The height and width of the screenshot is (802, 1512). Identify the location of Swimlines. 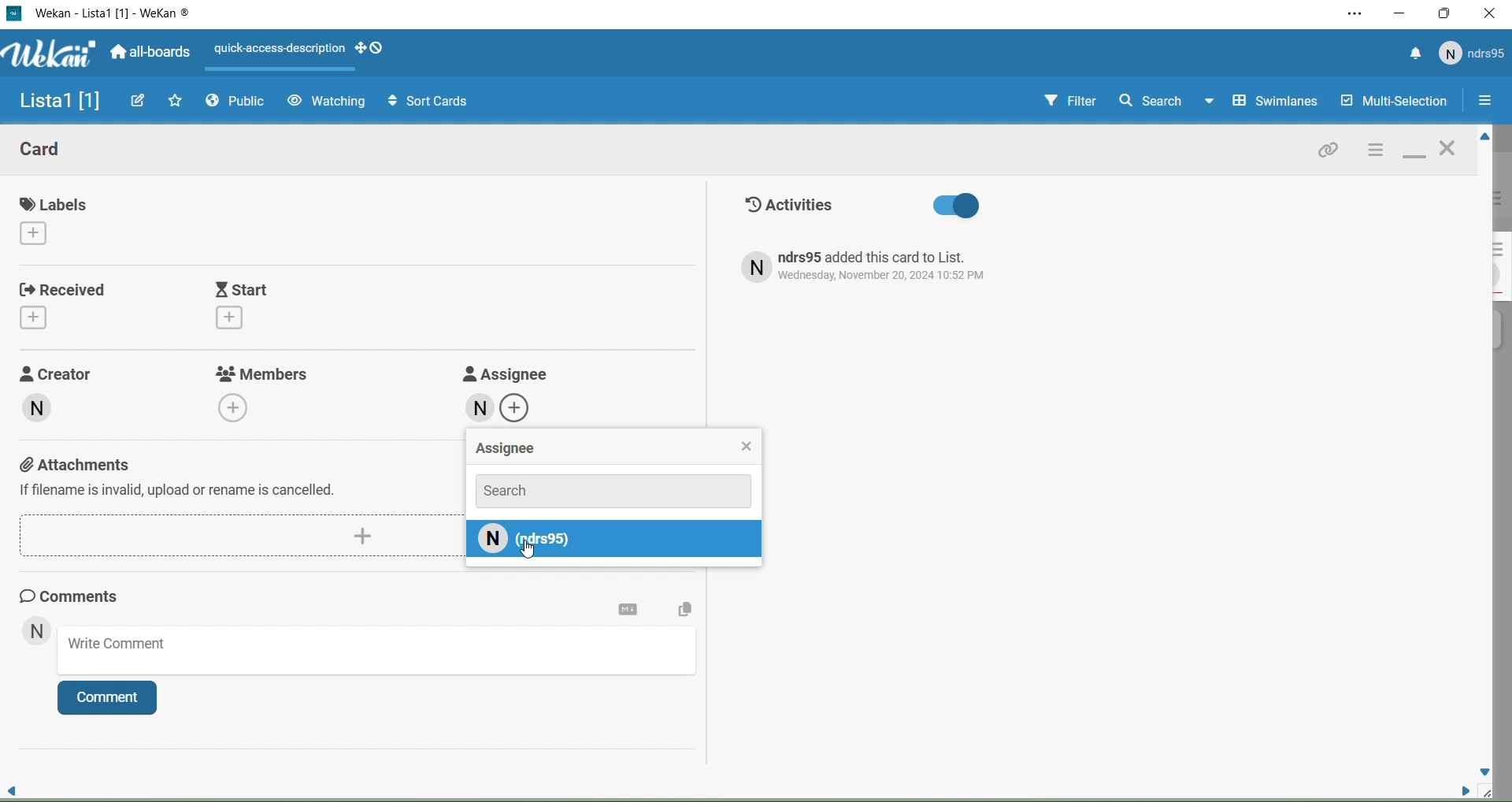
(1265, 102).